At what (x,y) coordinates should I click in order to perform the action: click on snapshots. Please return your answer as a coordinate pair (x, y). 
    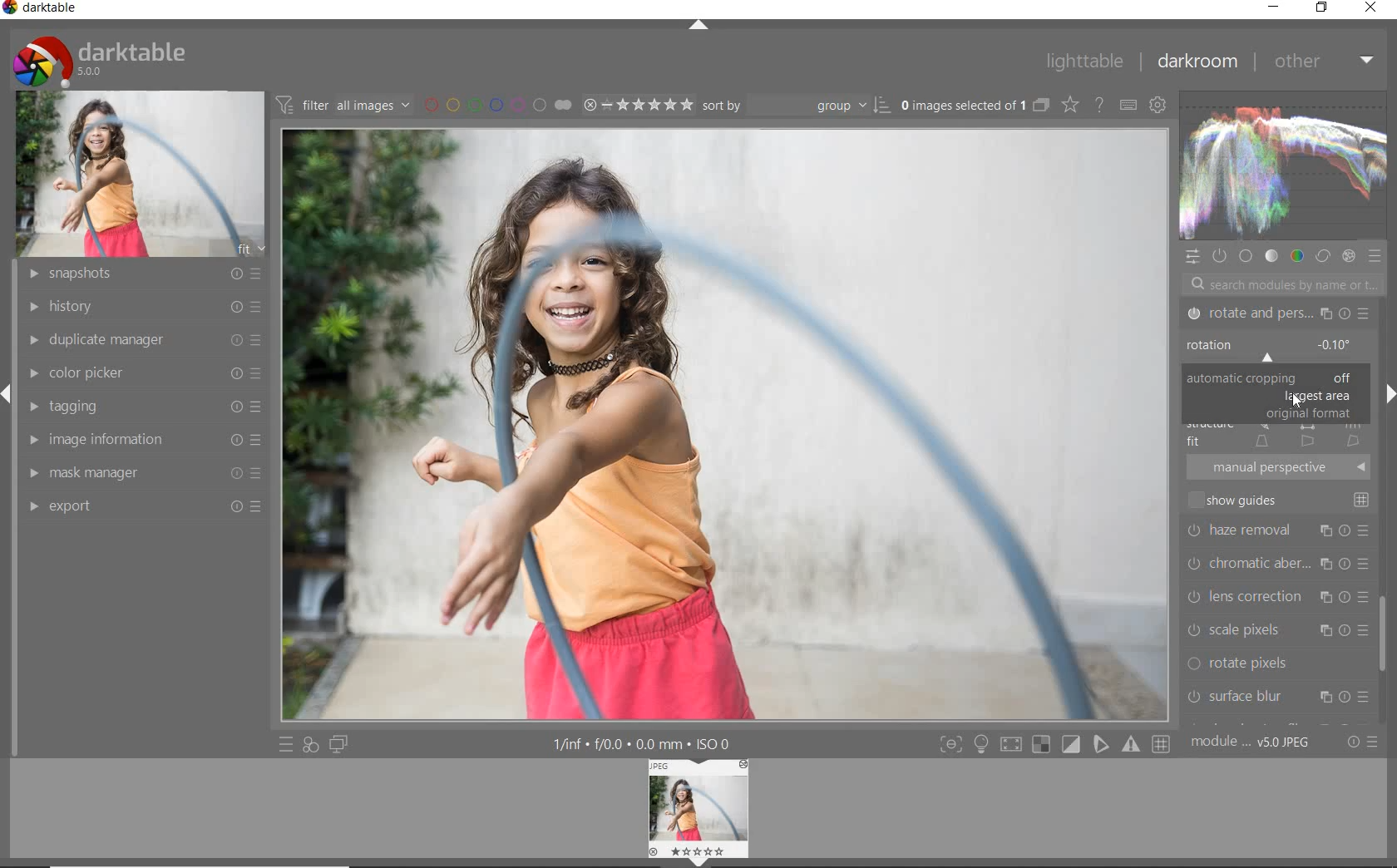
    Looking at the image, I should click on (141, 275).